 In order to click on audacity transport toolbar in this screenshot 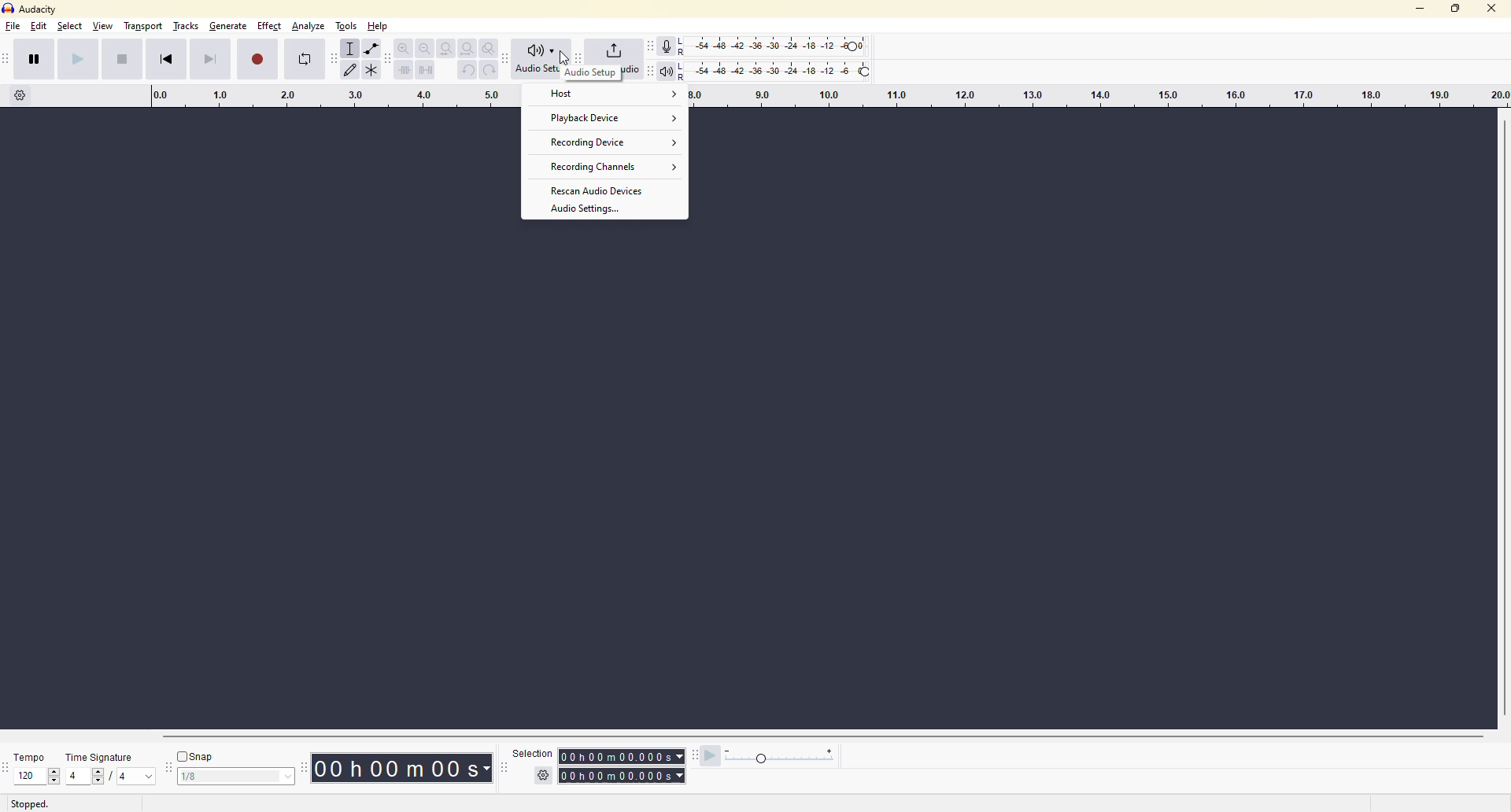, I will do `click(7, 57)`.